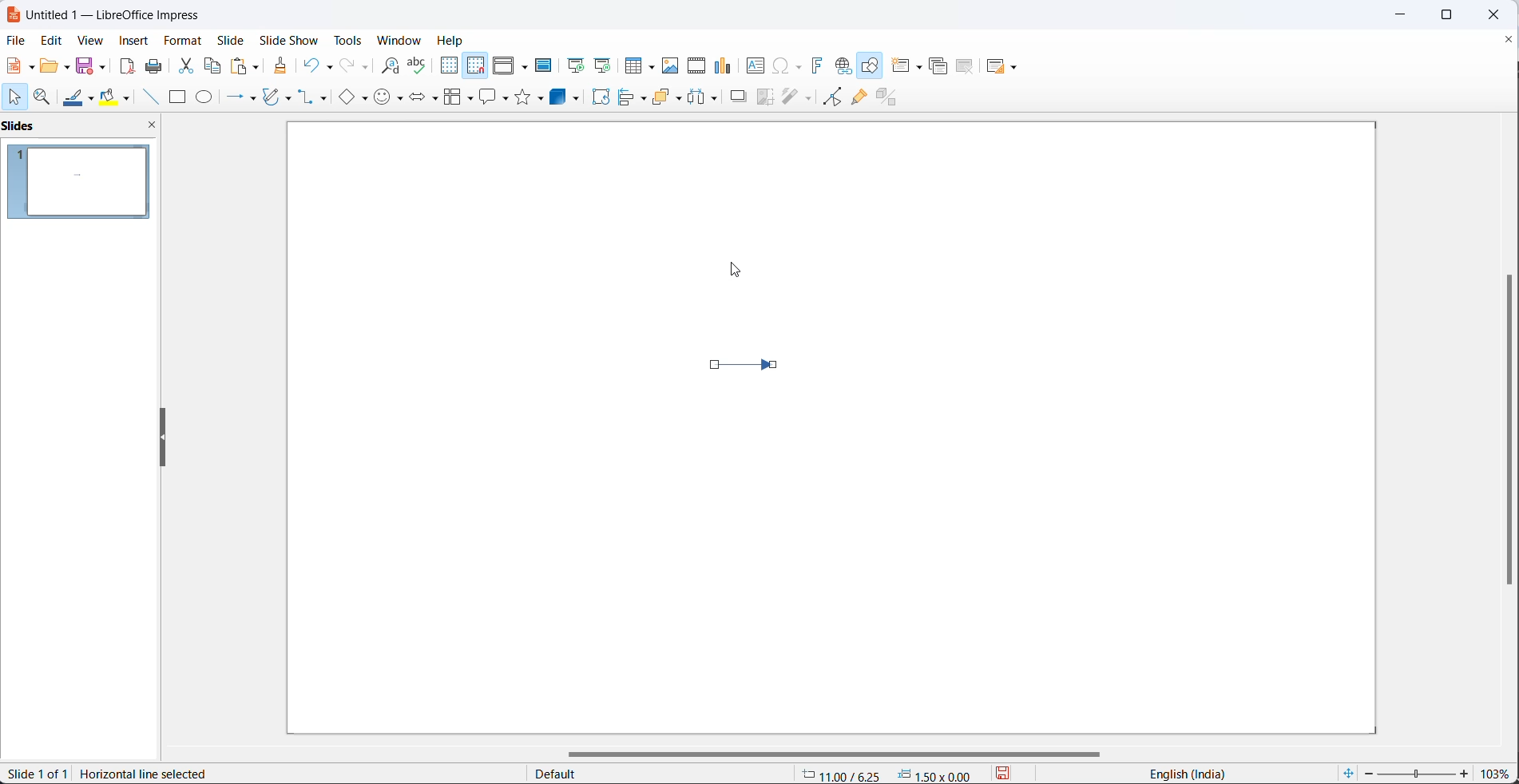 The height and width of the screenshot is (784, 1519). Describe the element at coordinates (545, 66) in the screenshot. I see `master slide` at that location.